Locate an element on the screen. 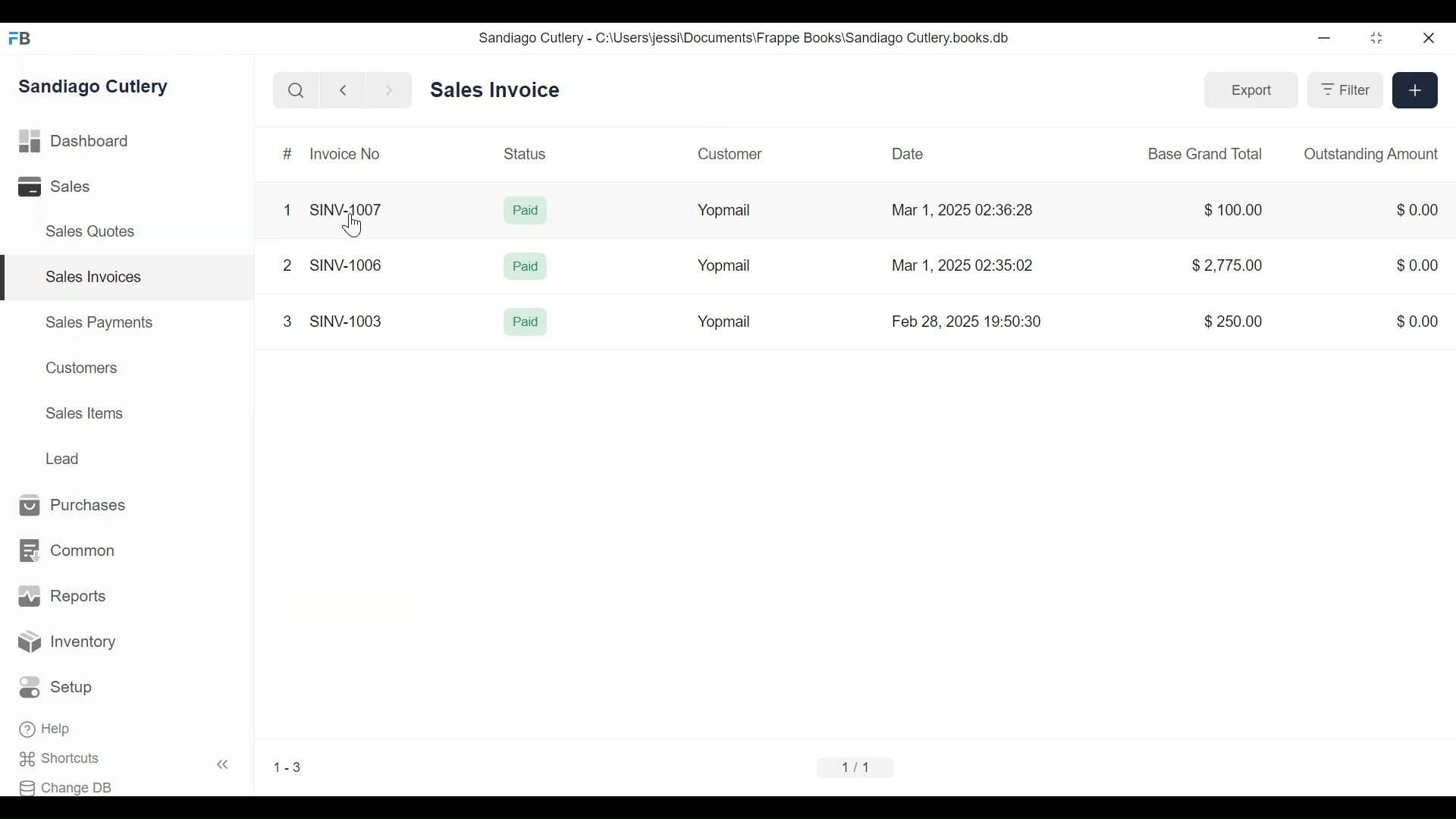 The height and width of the screenshot is (819, 1456). Sales invoice is located at coordinates (494, 91).